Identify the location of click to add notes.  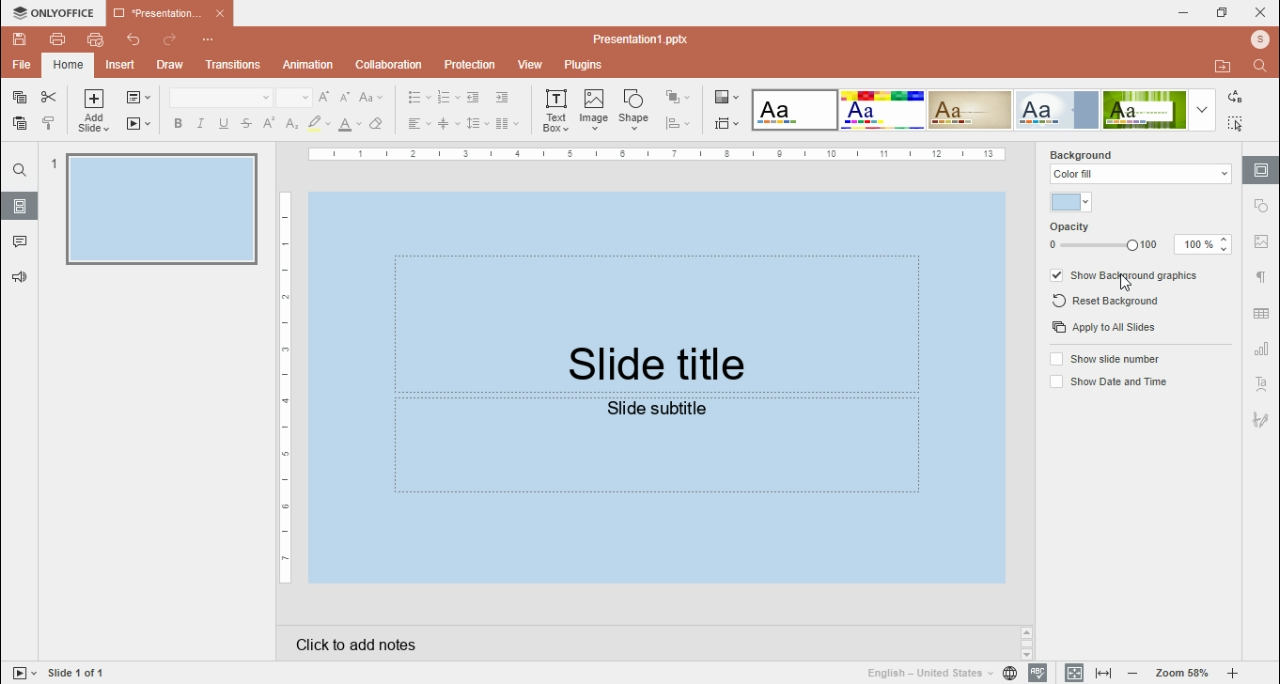
(358, 646).